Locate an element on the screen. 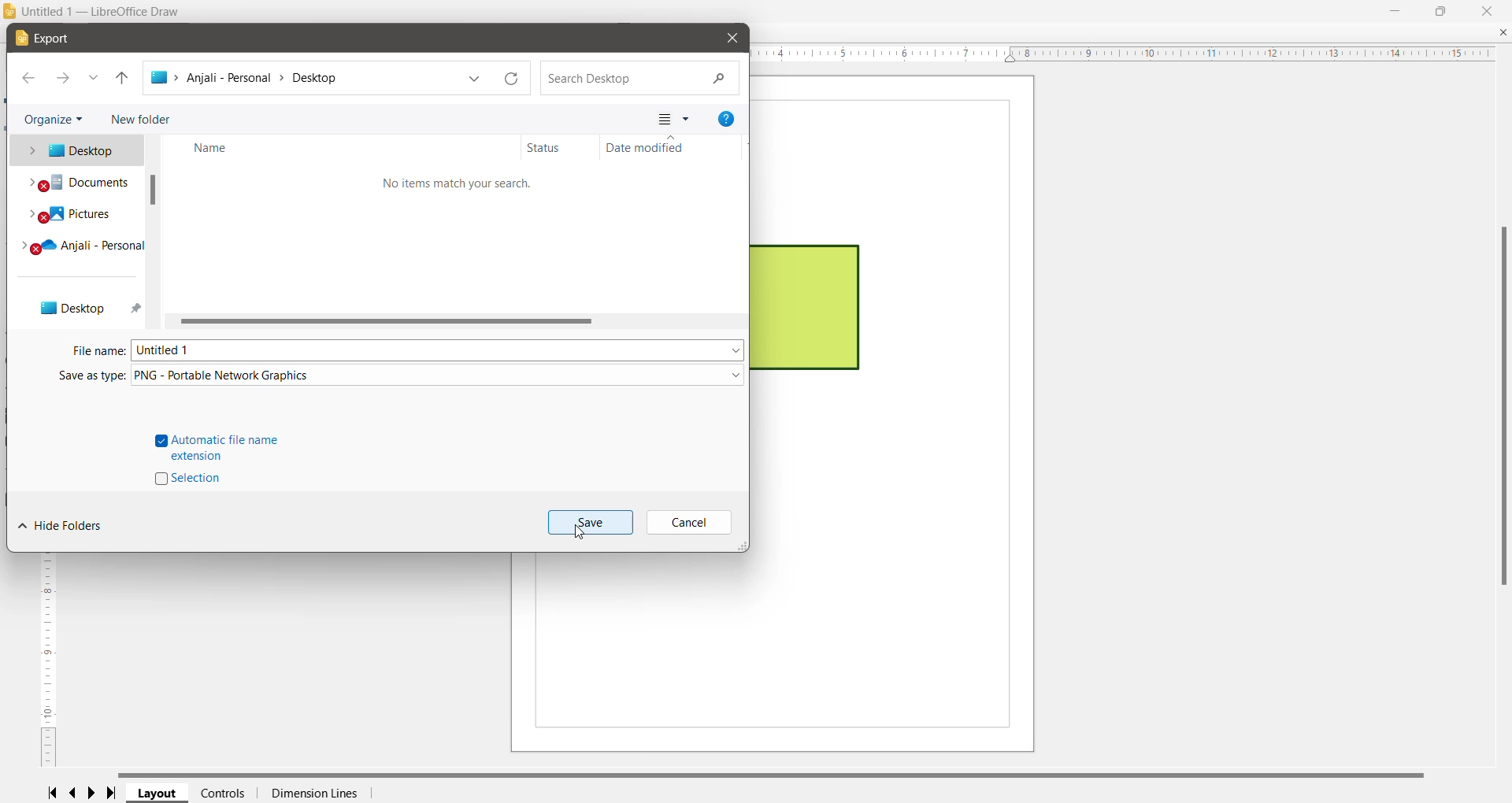  Save as type is located at coordinates (92, 376).